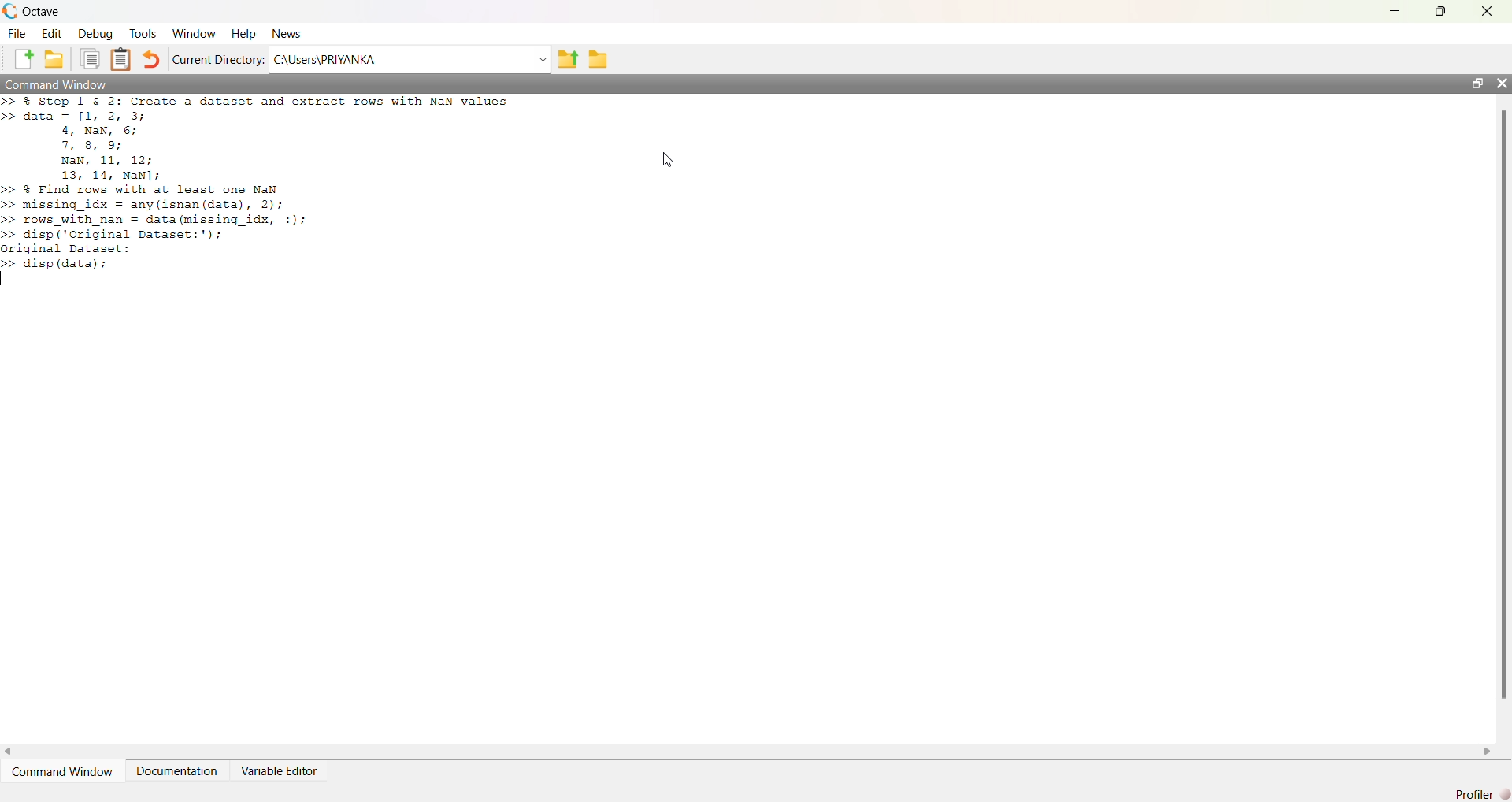 This screenshot has width=1512, height=802. Describe the element at coordinates (24, 59) in the screenshot. I see `New File` at that location.